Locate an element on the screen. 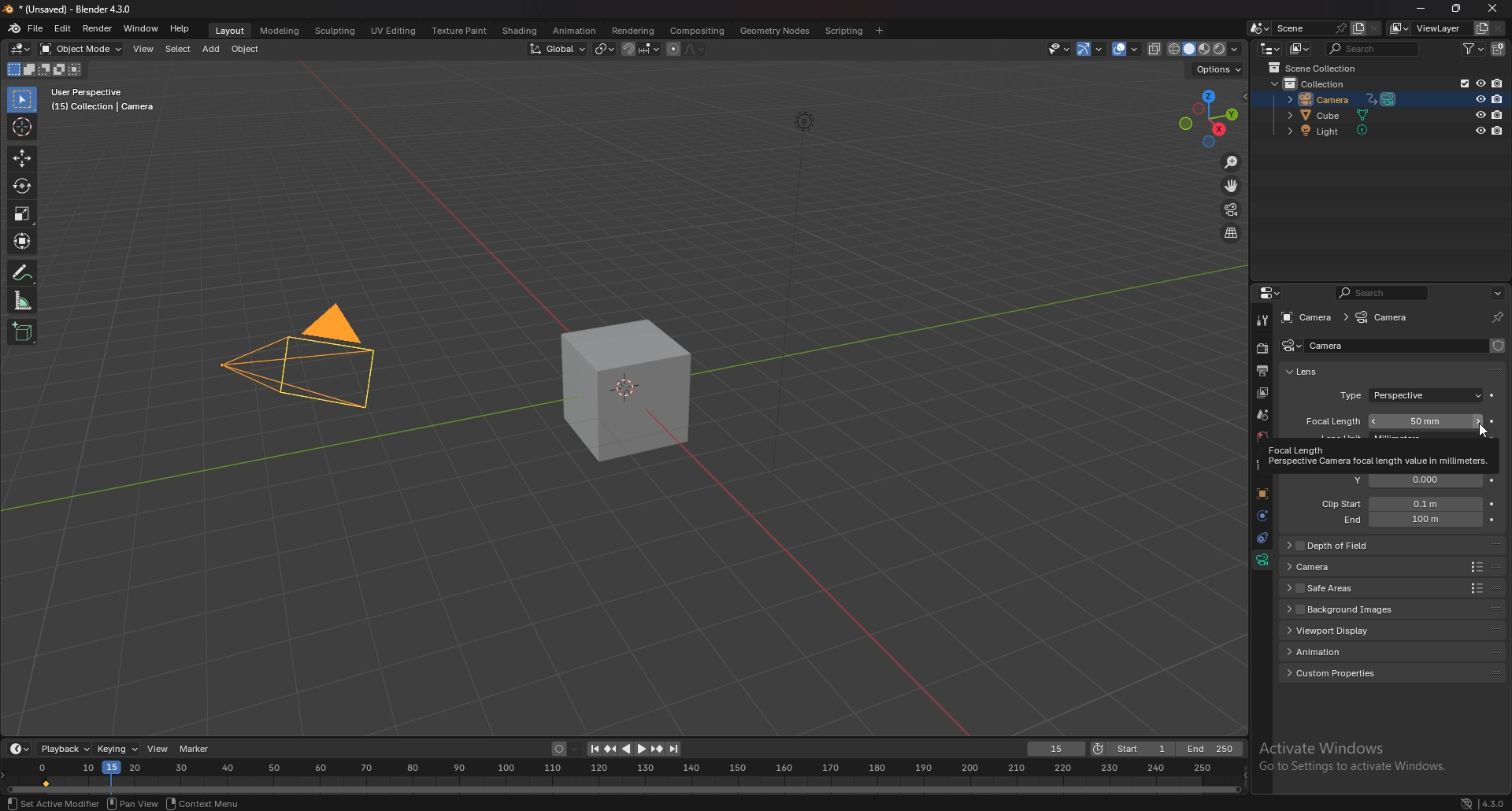 Image resolution: width=1512 pixels, height=811 pixels. keying is located at coordinates (118, 749).